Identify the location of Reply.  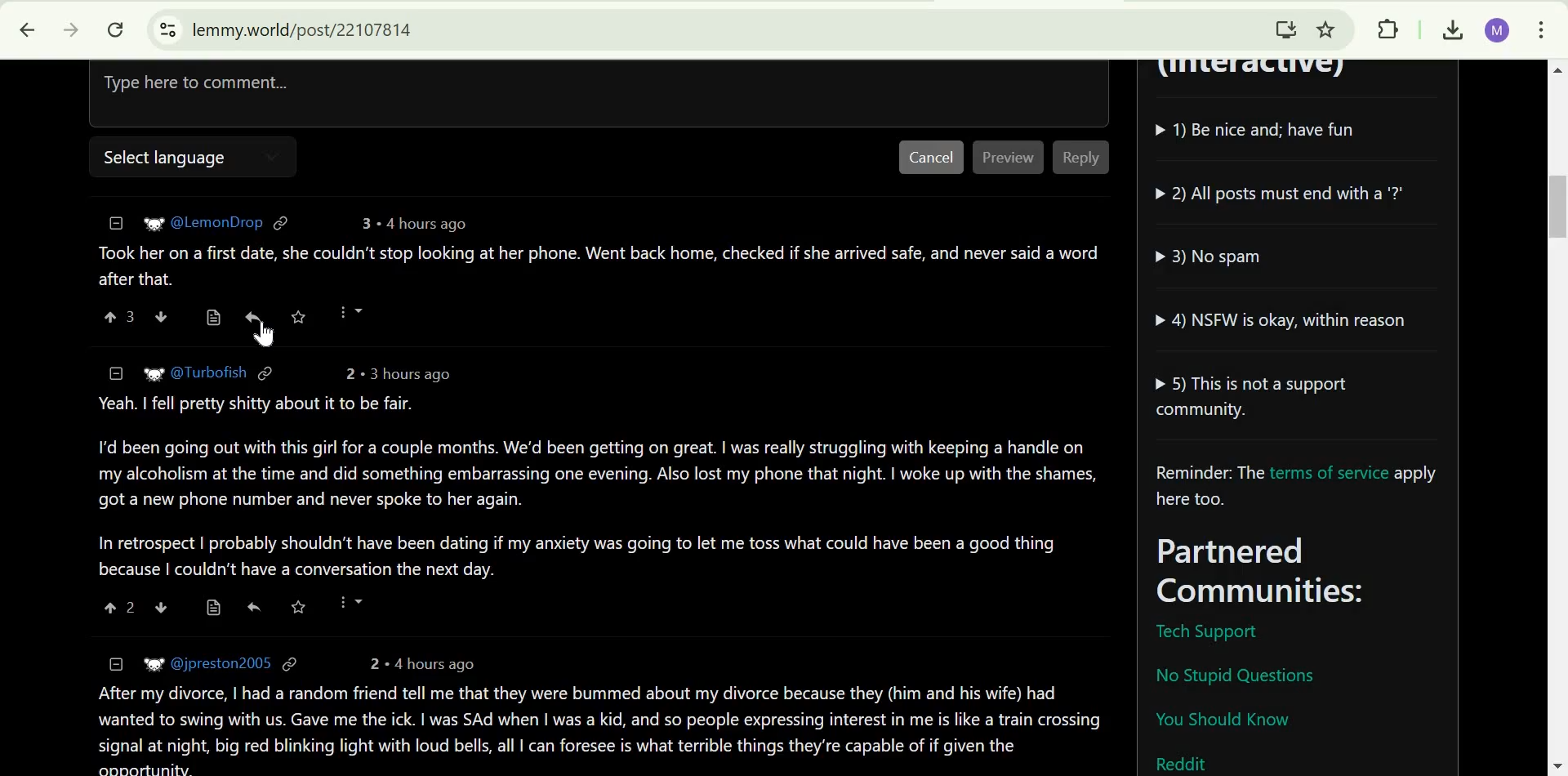
(1080, 158).